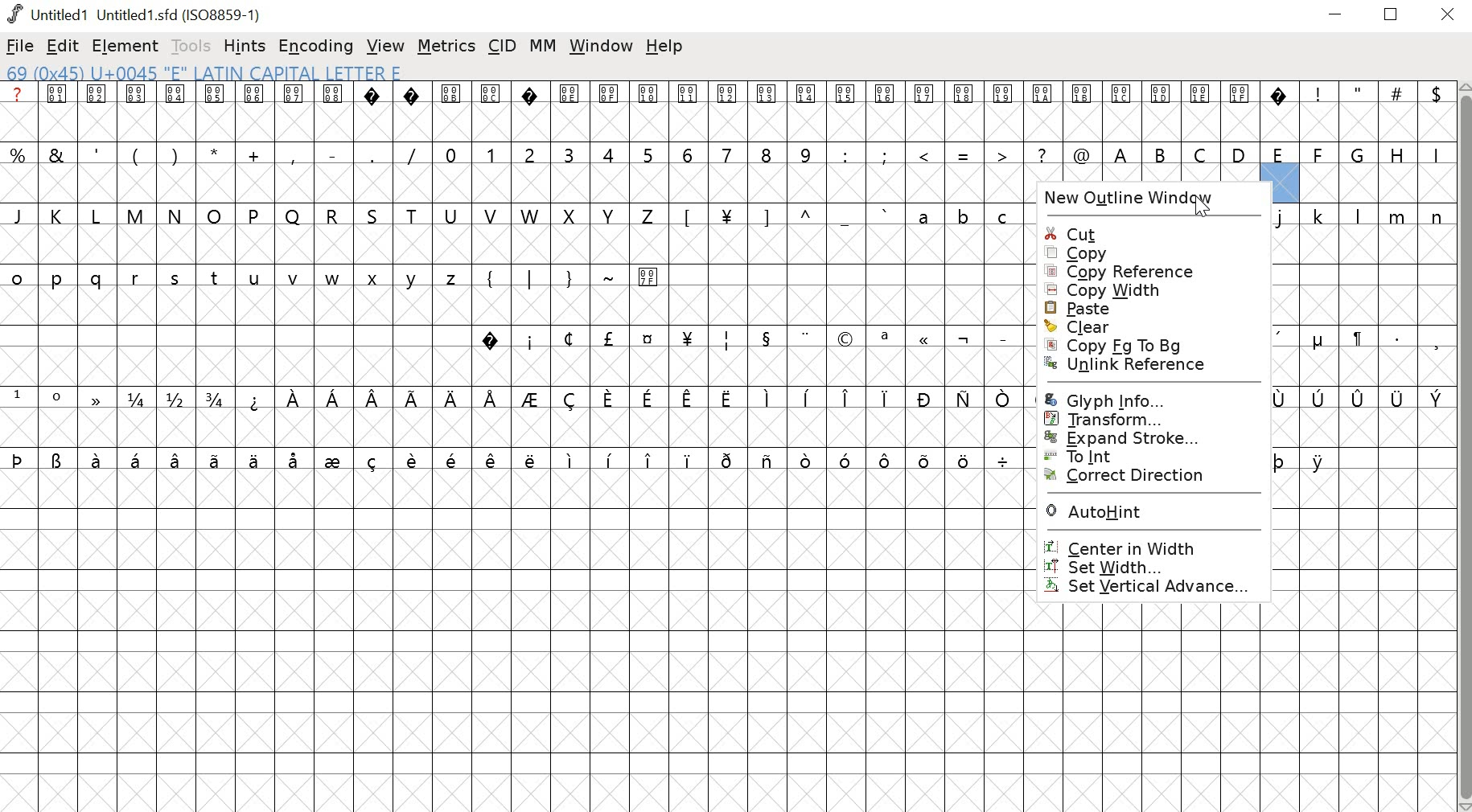 This screenshot has width=1472, height=812. Describe the element at coordinates (968, 156) in the screenshot. I see `symbols` at that location.